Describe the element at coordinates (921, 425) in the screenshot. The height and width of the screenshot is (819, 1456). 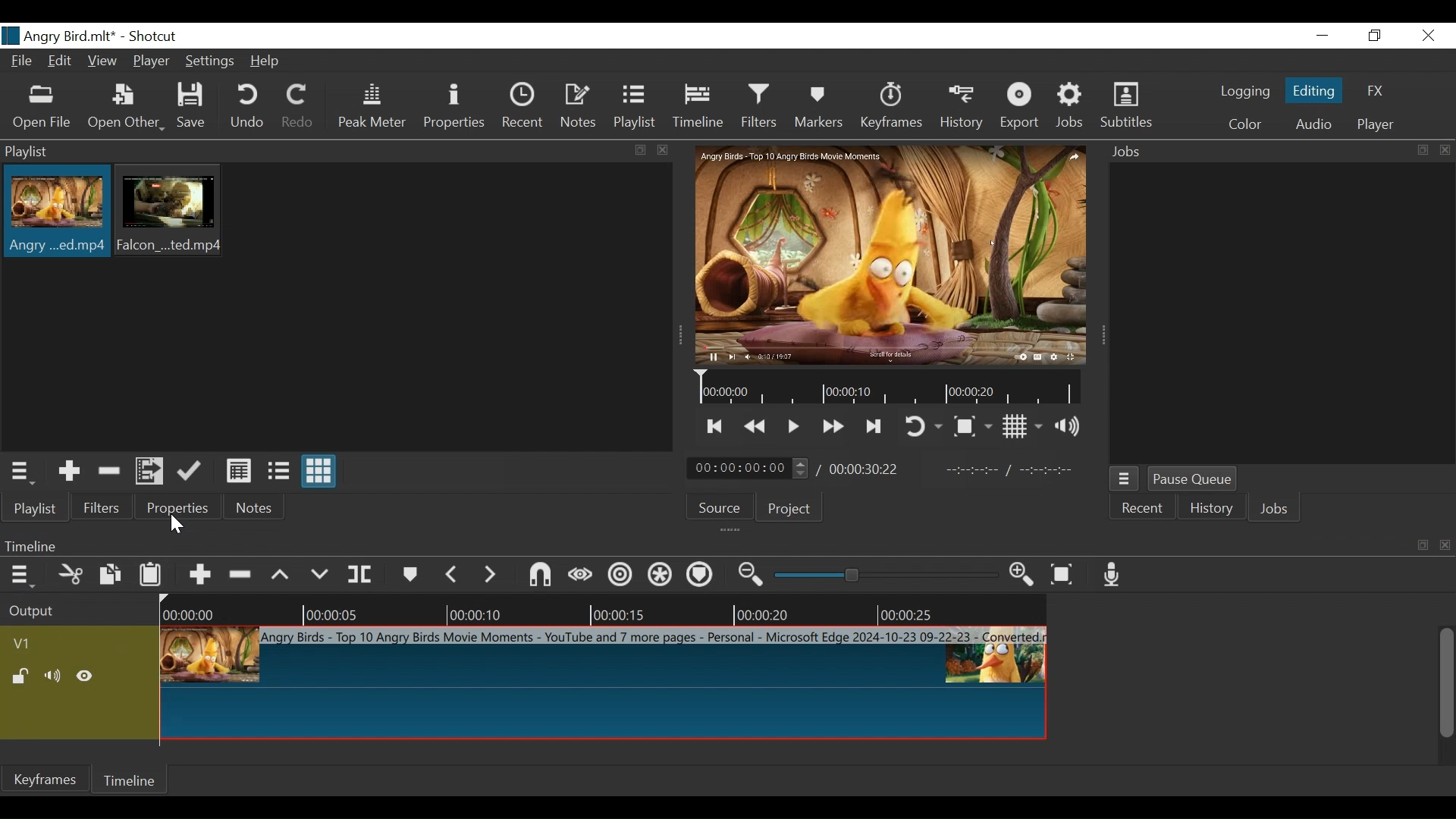
I see `Toggle player looping` at that location.